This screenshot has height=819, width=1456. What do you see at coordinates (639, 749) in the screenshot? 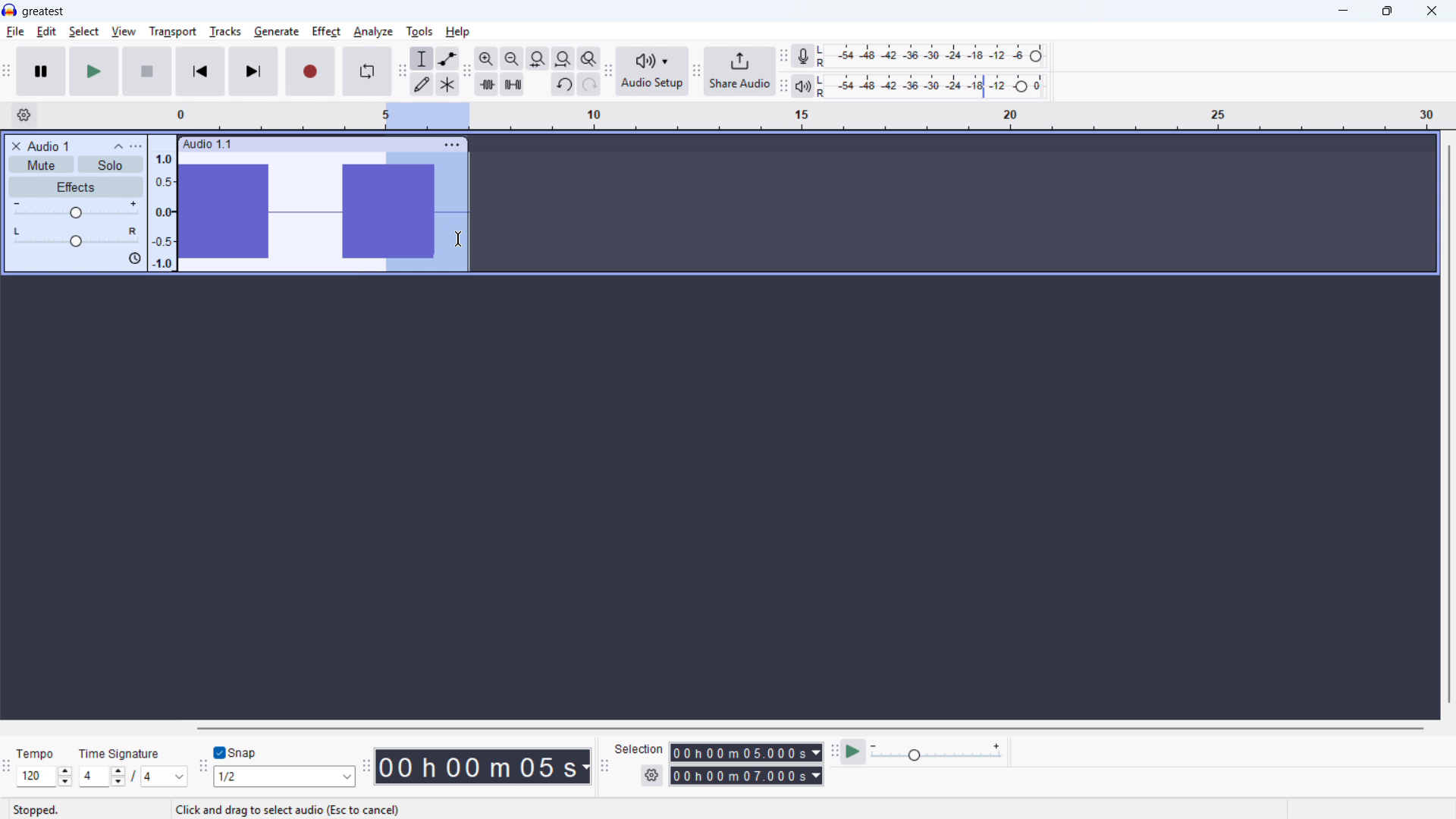
I see `selection` at bounding box center [639, 749].